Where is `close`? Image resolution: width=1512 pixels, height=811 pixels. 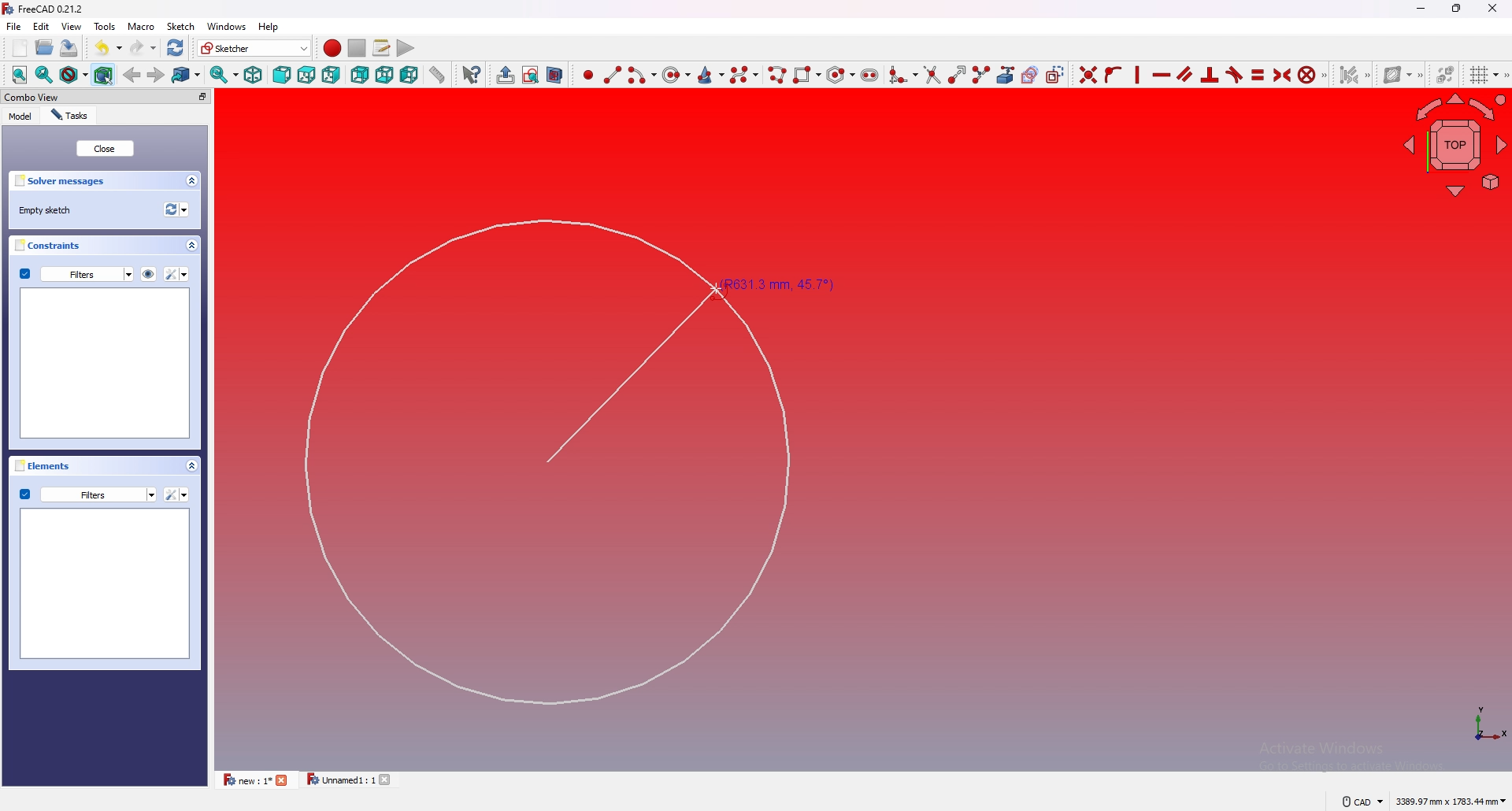 close is located at coordinates (104, 148).